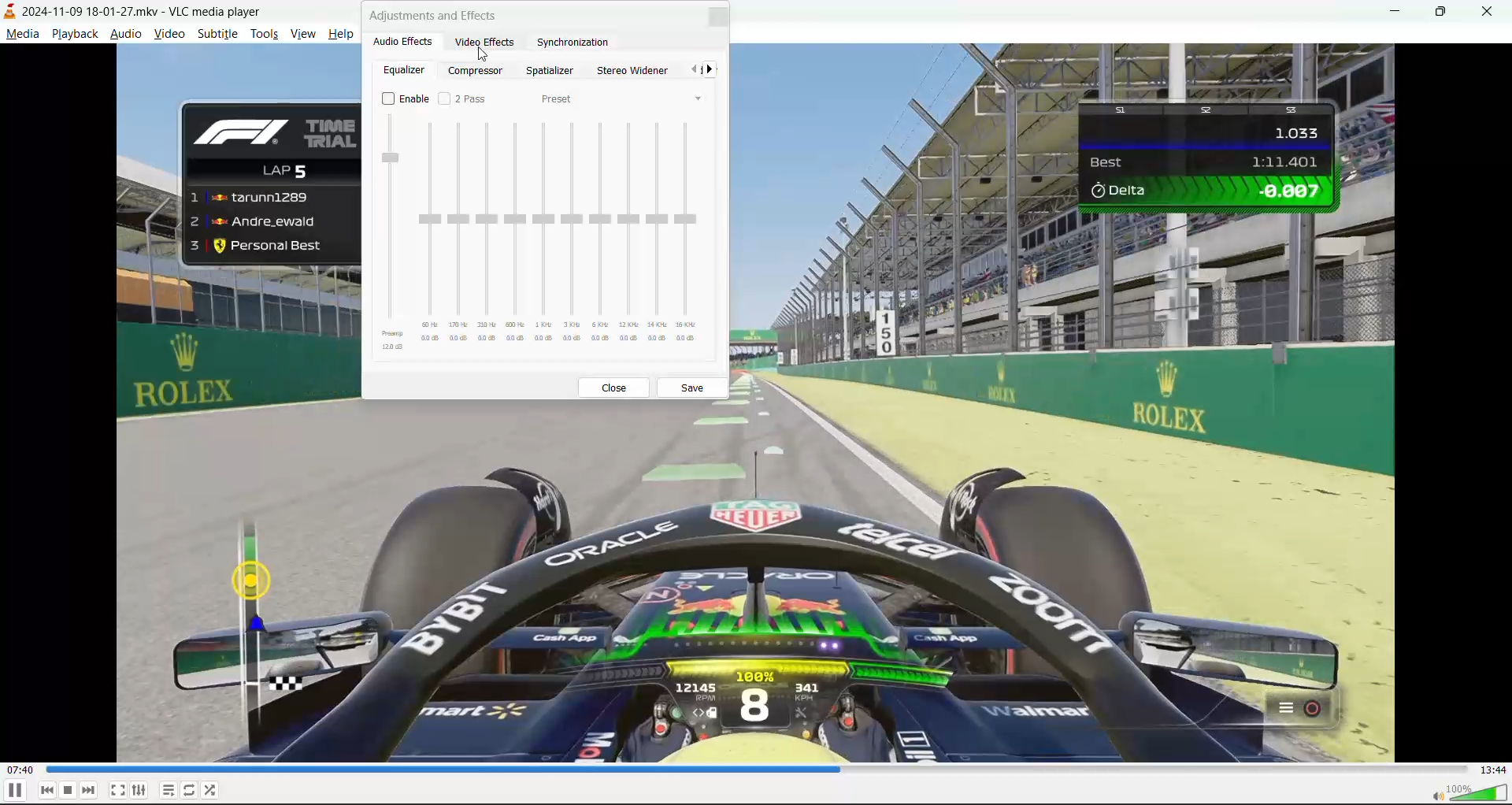  I want to click on audio, so click(127, 33).